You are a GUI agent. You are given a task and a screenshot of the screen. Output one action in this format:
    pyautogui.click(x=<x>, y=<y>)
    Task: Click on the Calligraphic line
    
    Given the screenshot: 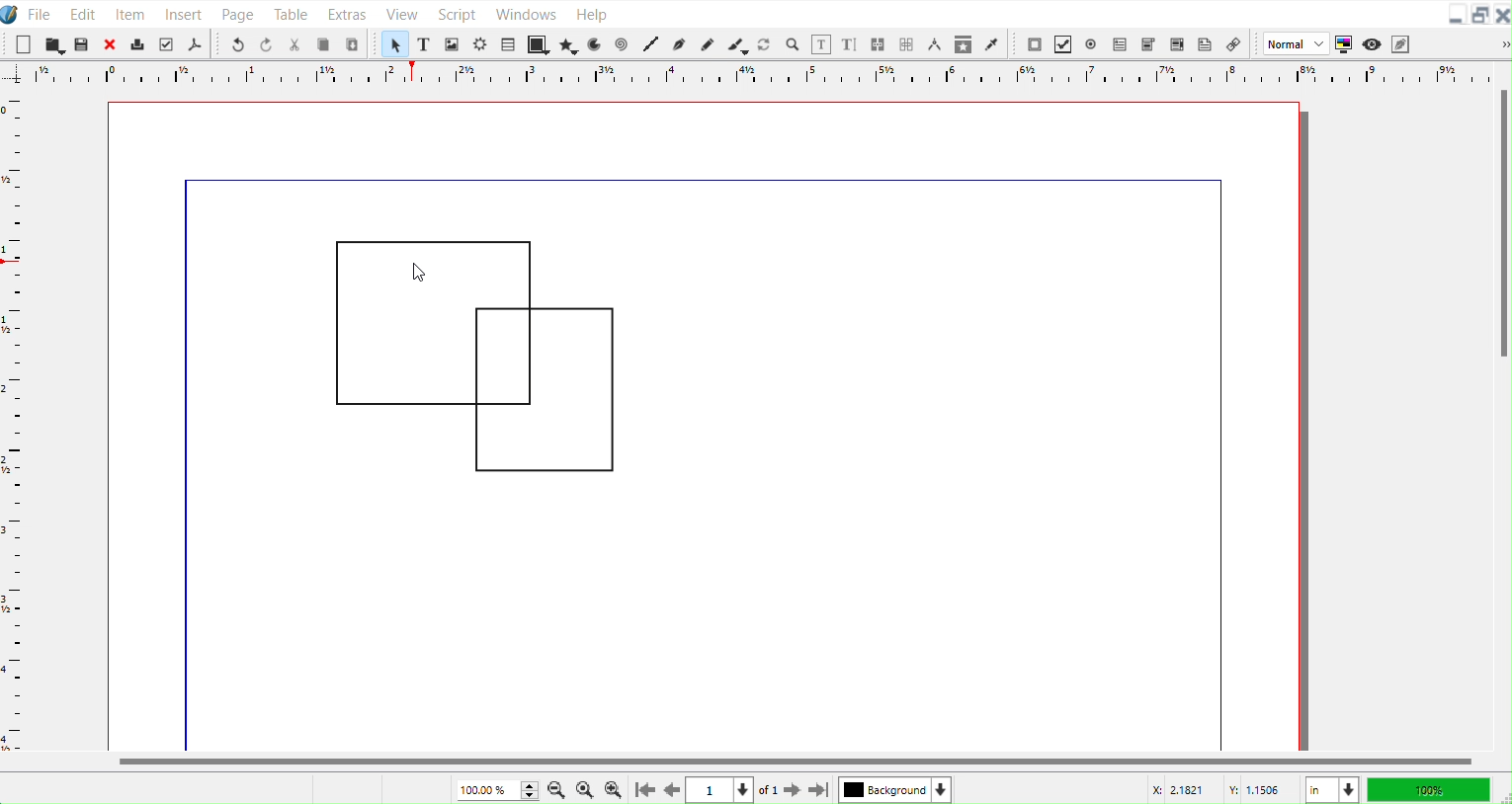 What is the action you would take?
    pyautogui.click(x=737, y=44)
    